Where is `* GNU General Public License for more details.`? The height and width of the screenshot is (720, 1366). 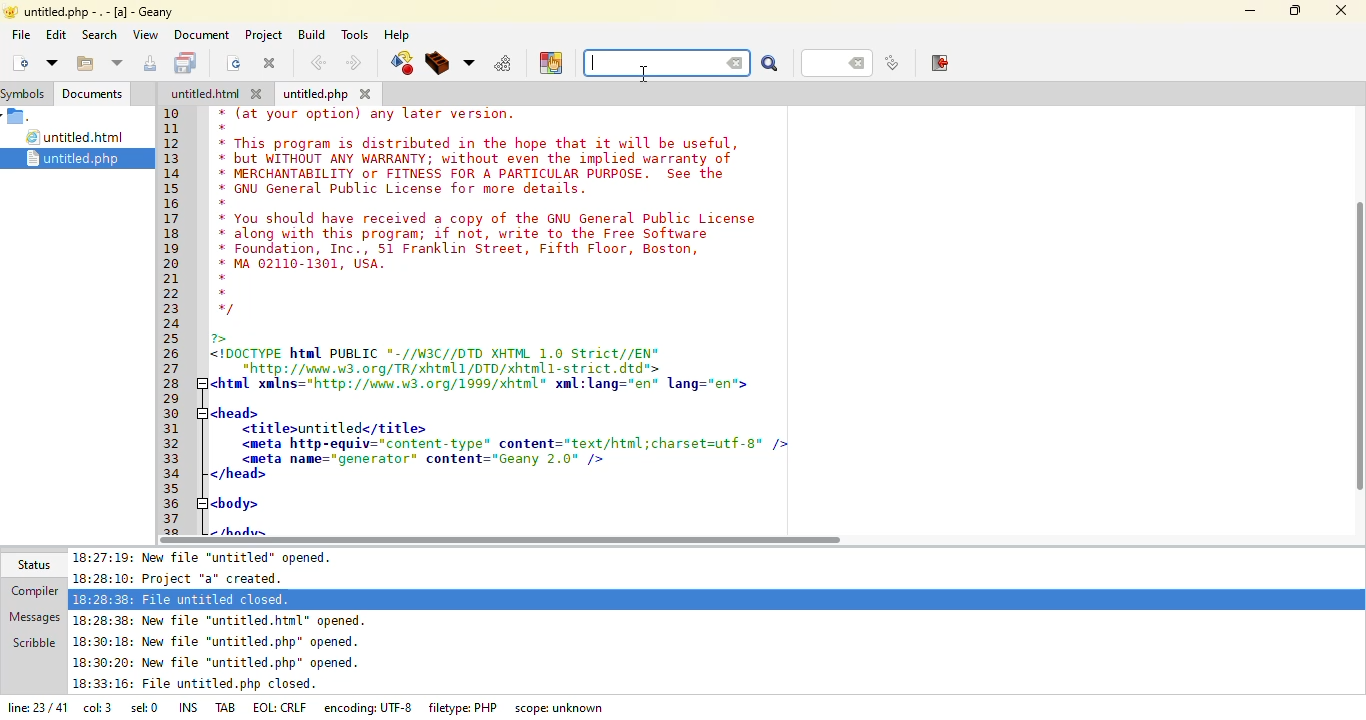
* GNU General Public License for more details. is located at coordinates (404, 190).